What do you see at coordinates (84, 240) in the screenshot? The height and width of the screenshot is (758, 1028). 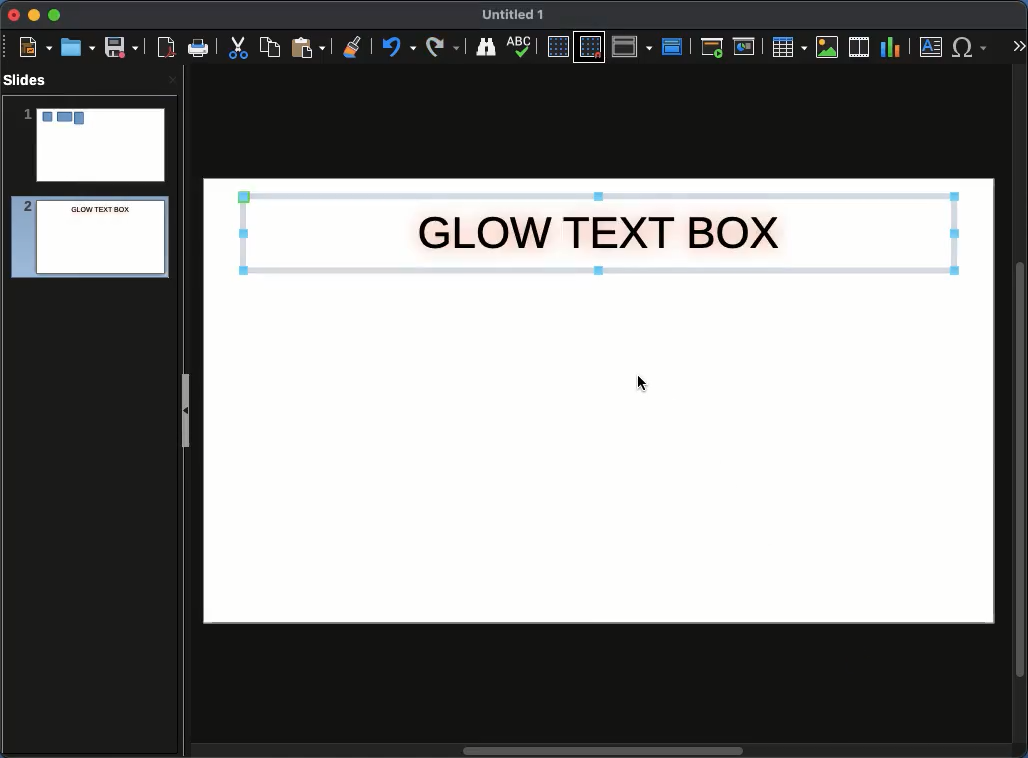 I see `Slide 2` at bounding box center [84, 240].